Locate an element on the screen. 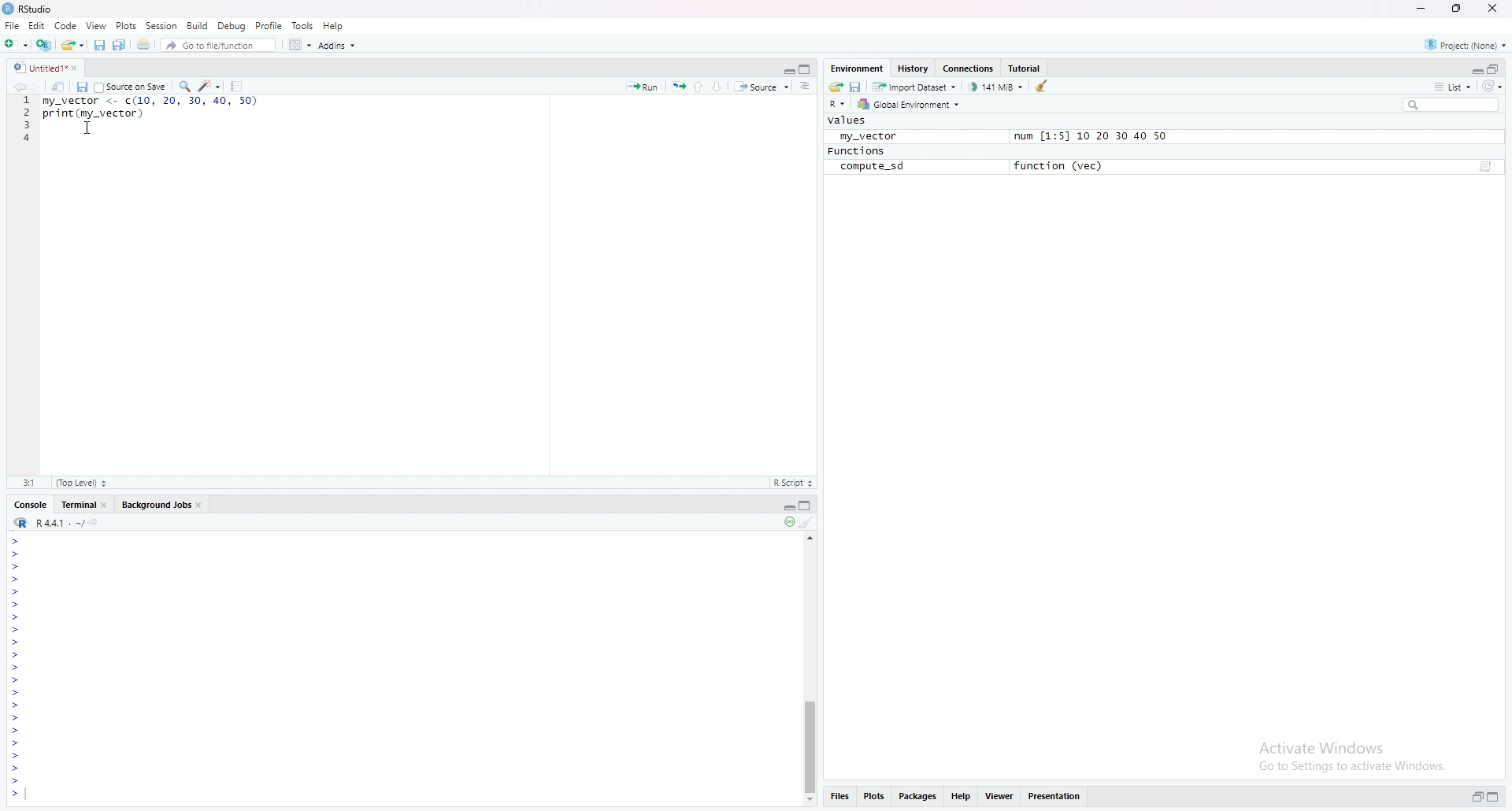 Image resolution: width=1512 pixels, height=811 pixels. Code Tools is located at coordinates (210, 85).